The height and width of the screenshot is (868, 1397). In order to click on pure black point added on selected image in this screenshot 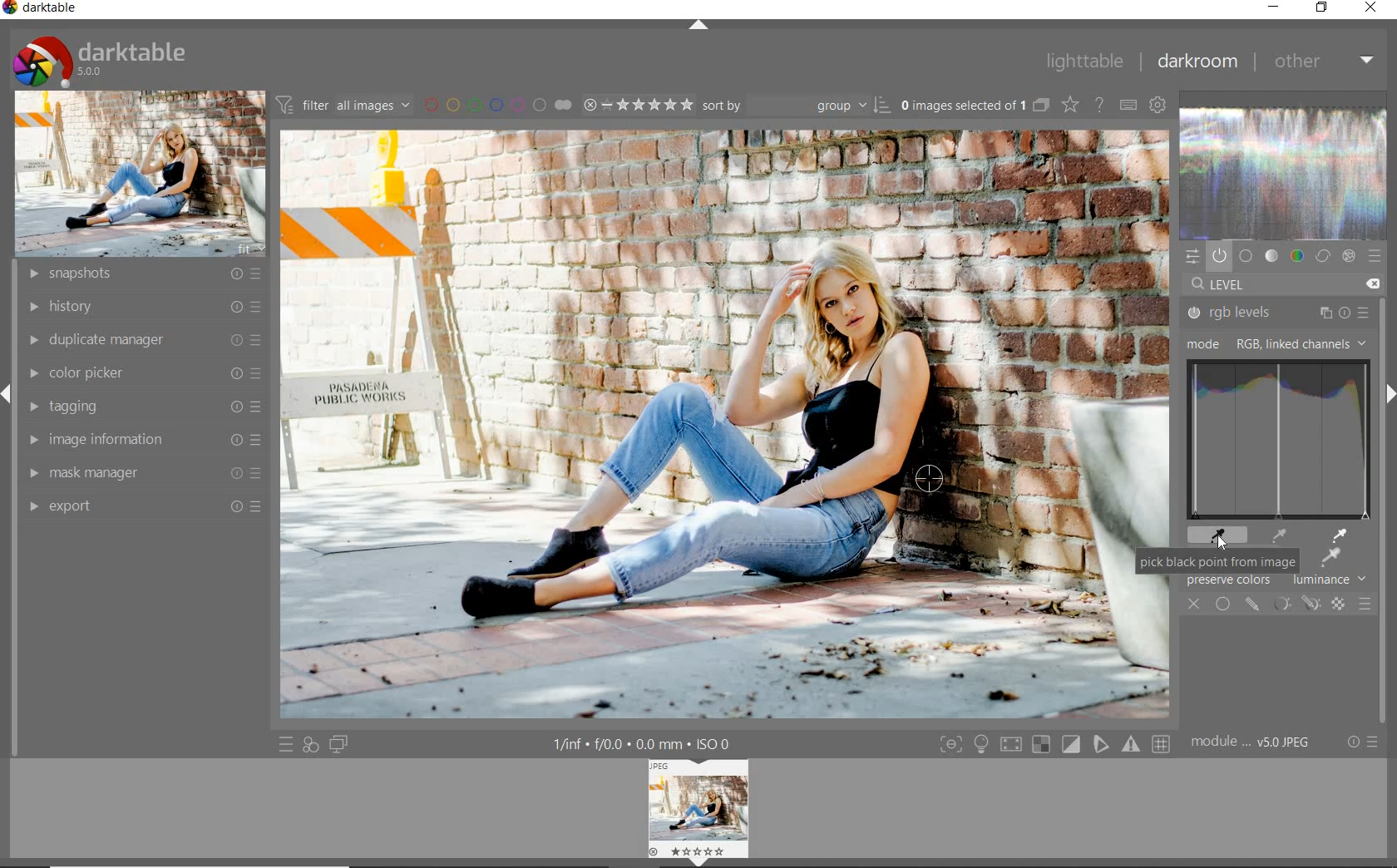, I will do `click(947, 484)`.